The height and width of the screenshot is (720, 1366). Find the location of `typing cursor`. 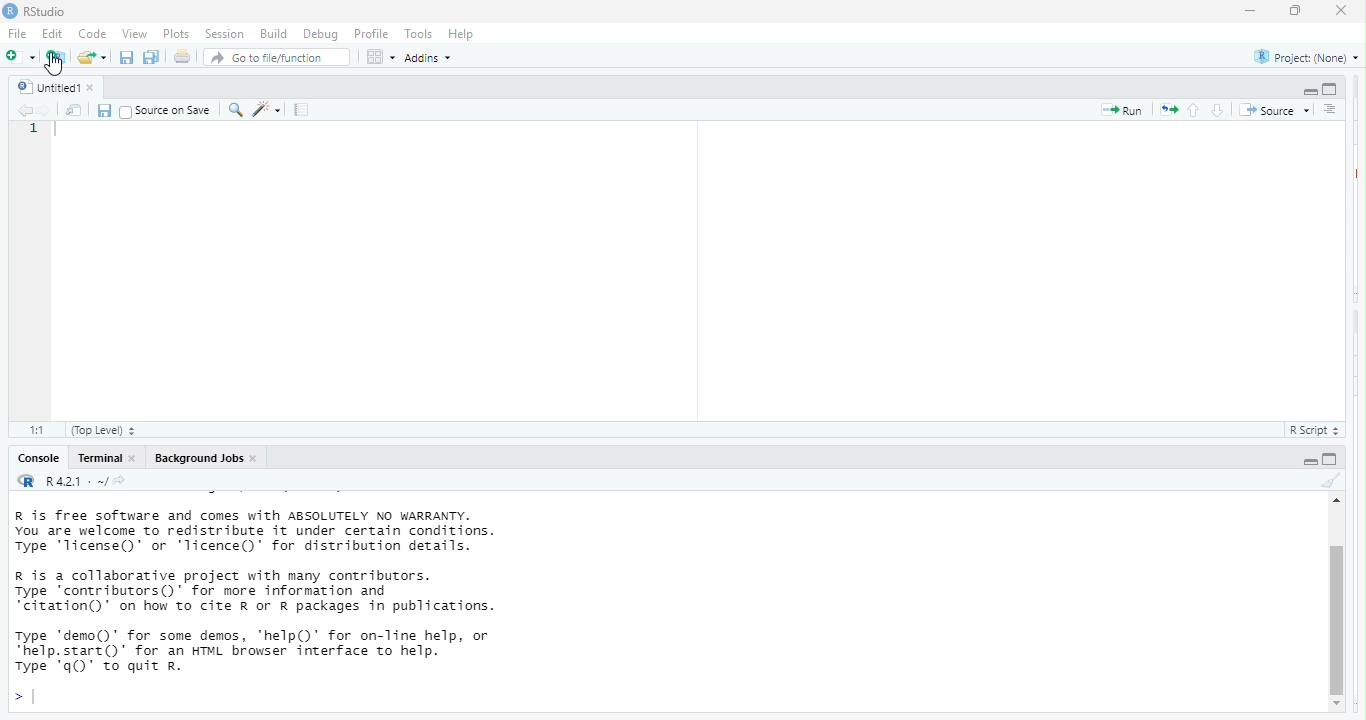

typing cursor is located at coordinates (61, 134).